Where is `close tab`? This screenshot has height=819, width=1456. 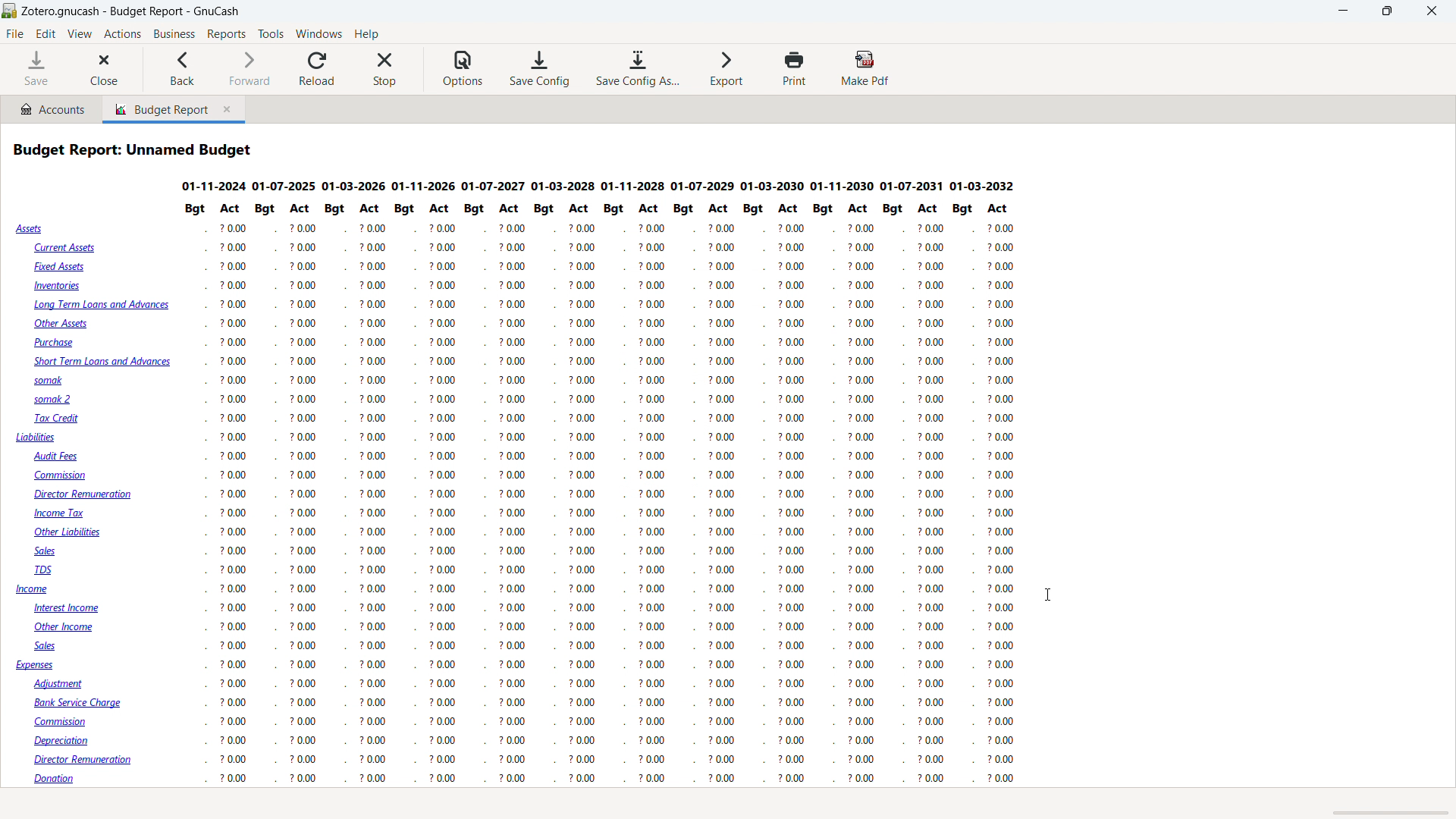
close tab is located at coordinates (230, 110).